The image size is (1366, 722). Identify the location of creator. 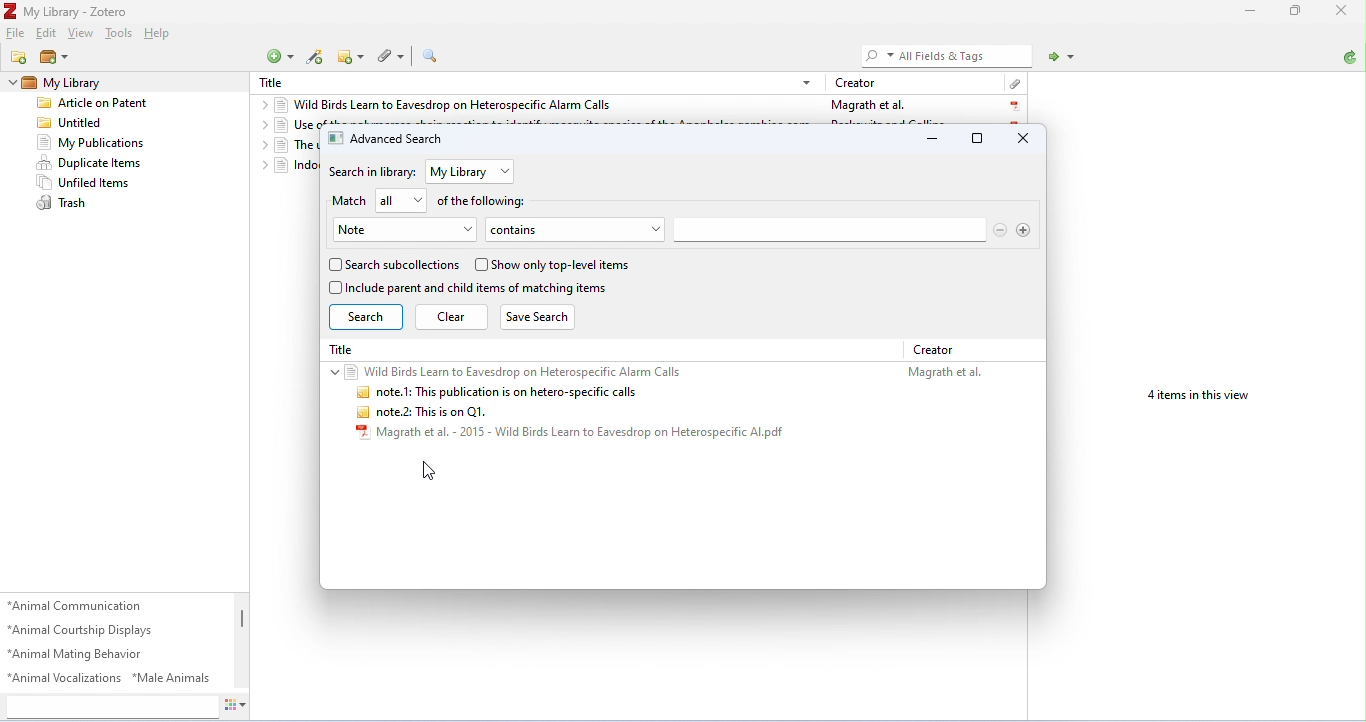
(859, 83).